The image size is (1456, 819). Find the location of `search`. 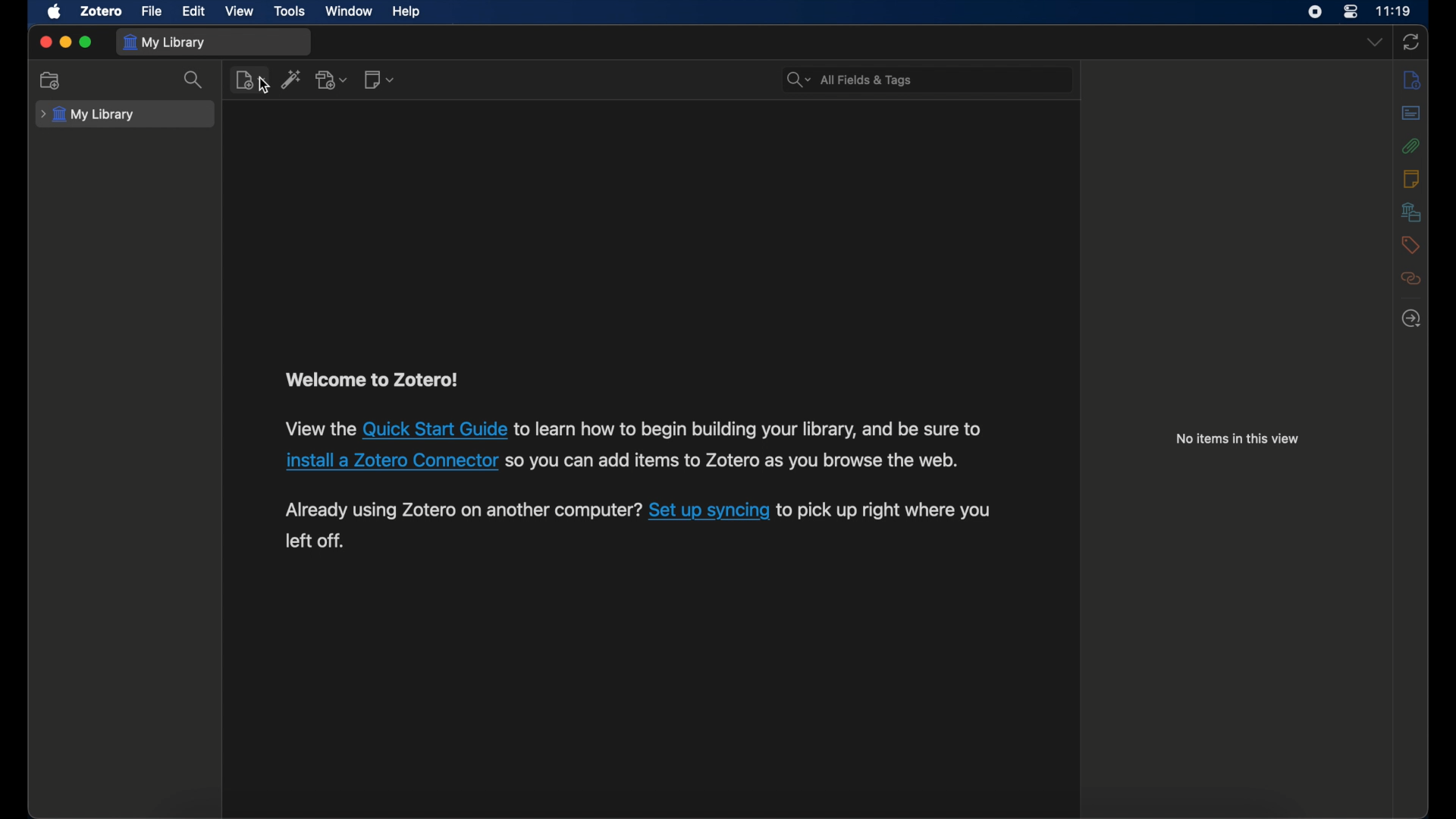

search is located at coordinates (196, 80).